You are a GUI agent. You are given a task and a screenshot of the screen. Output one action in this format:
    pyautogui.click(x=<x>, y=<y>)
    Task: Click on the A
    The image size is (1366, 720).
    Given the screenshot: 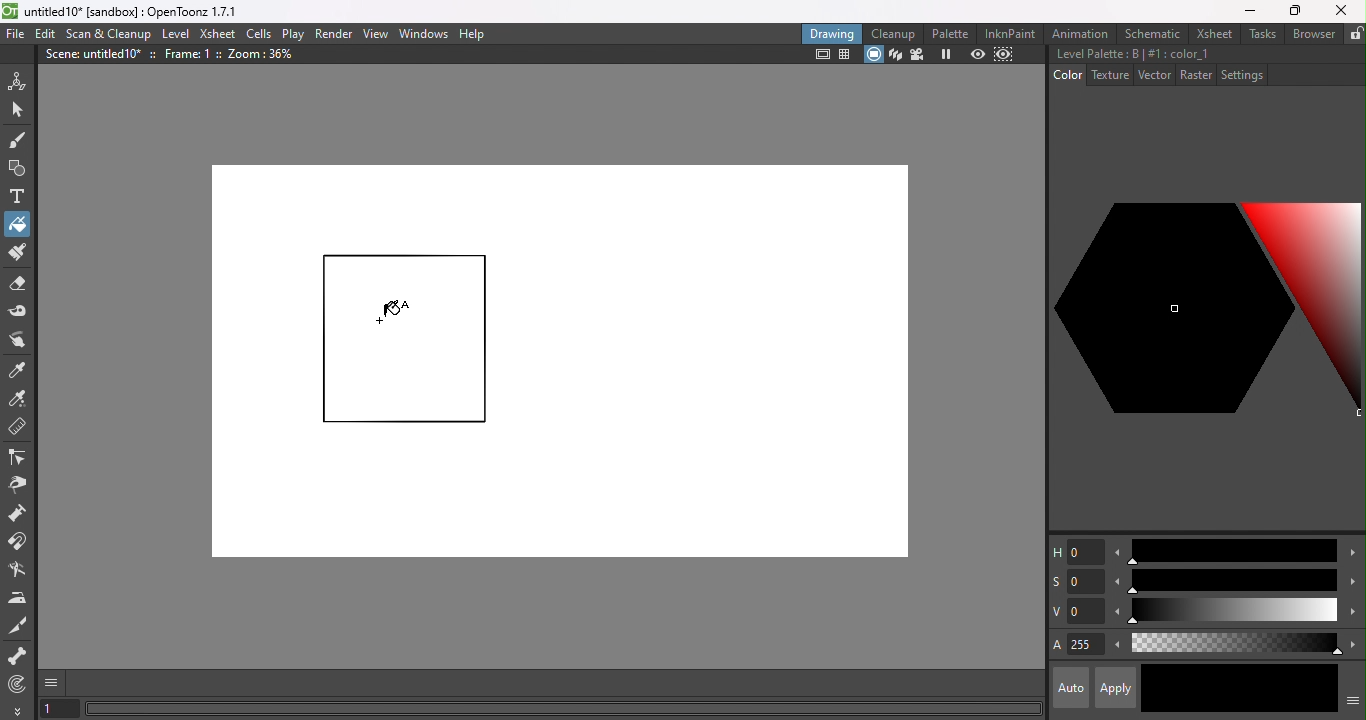 What is the action you would take?
    pyautogui.click(x=1077, y=646)
    